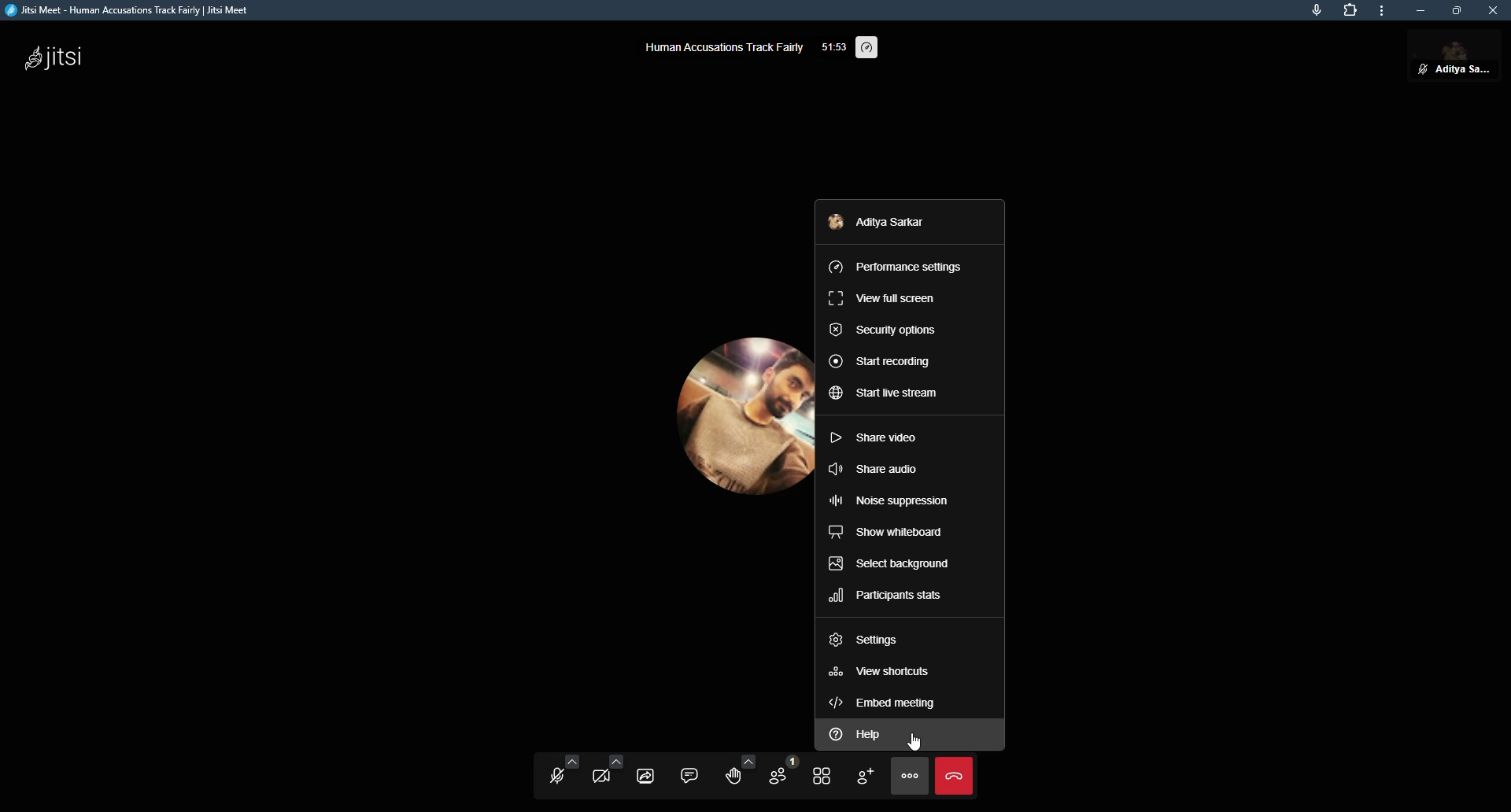 Image resolution: width=1511 pixels, height=812 pixels. Describe the element at coordinates (952, 778) in the screenshot. I see `end call` at that location.